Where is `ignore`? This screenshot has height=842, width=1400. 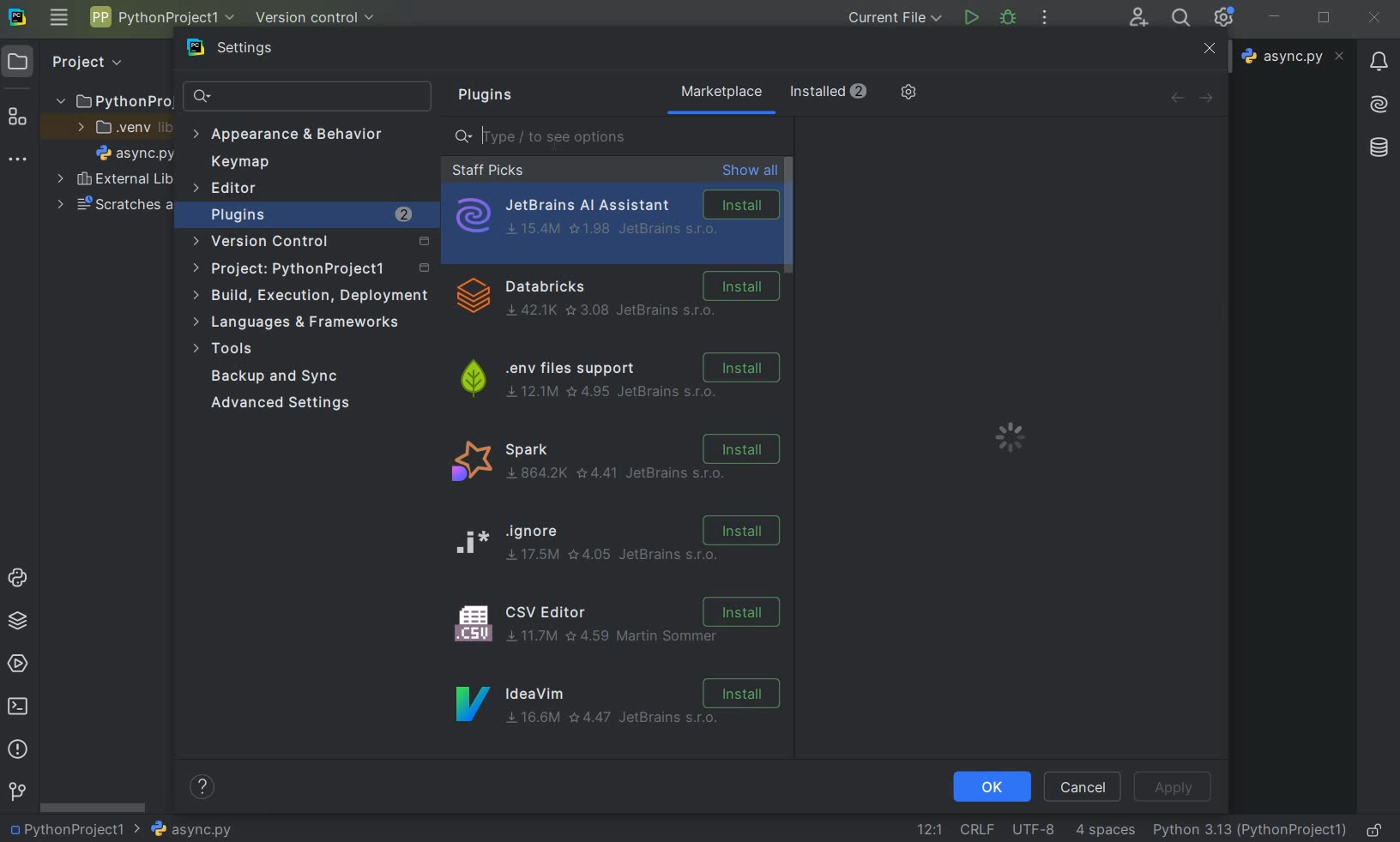 ignore is located at coordinates (618, 538).